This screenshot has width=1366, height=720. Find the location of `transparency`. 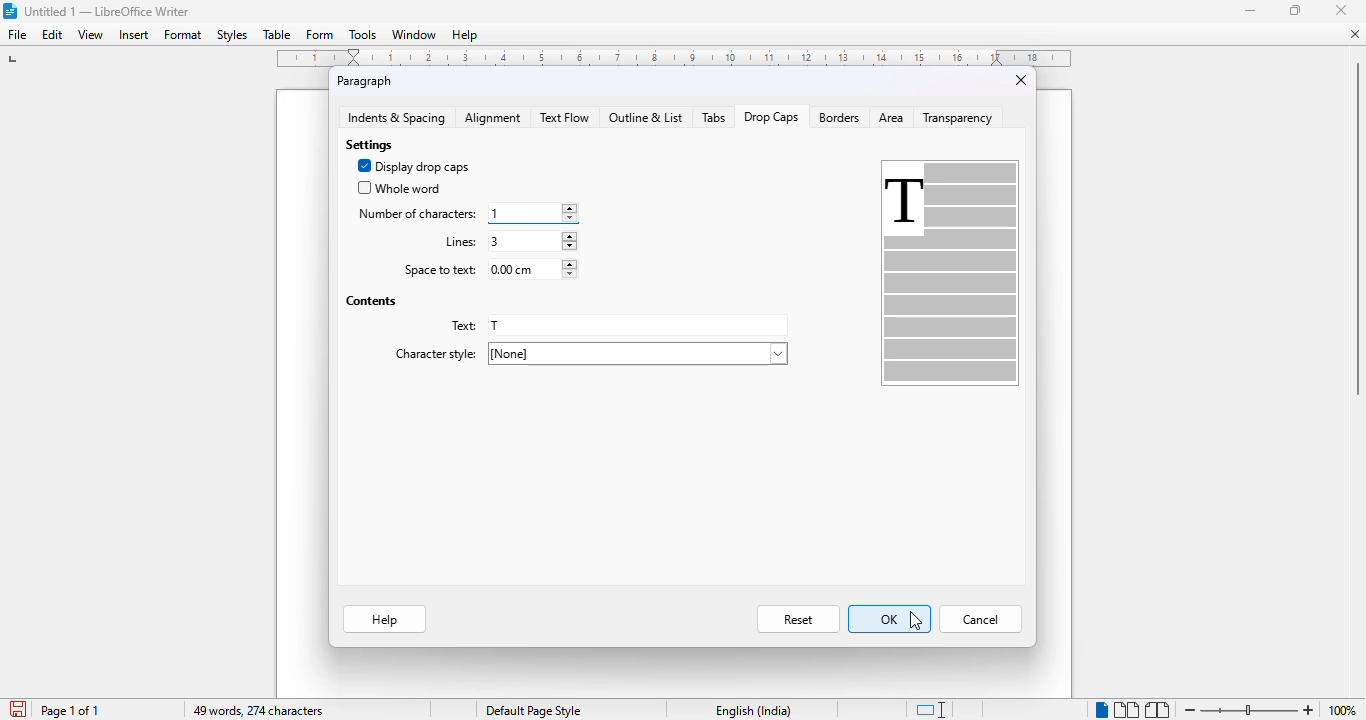

transparency is located at coordinates (957, 117).